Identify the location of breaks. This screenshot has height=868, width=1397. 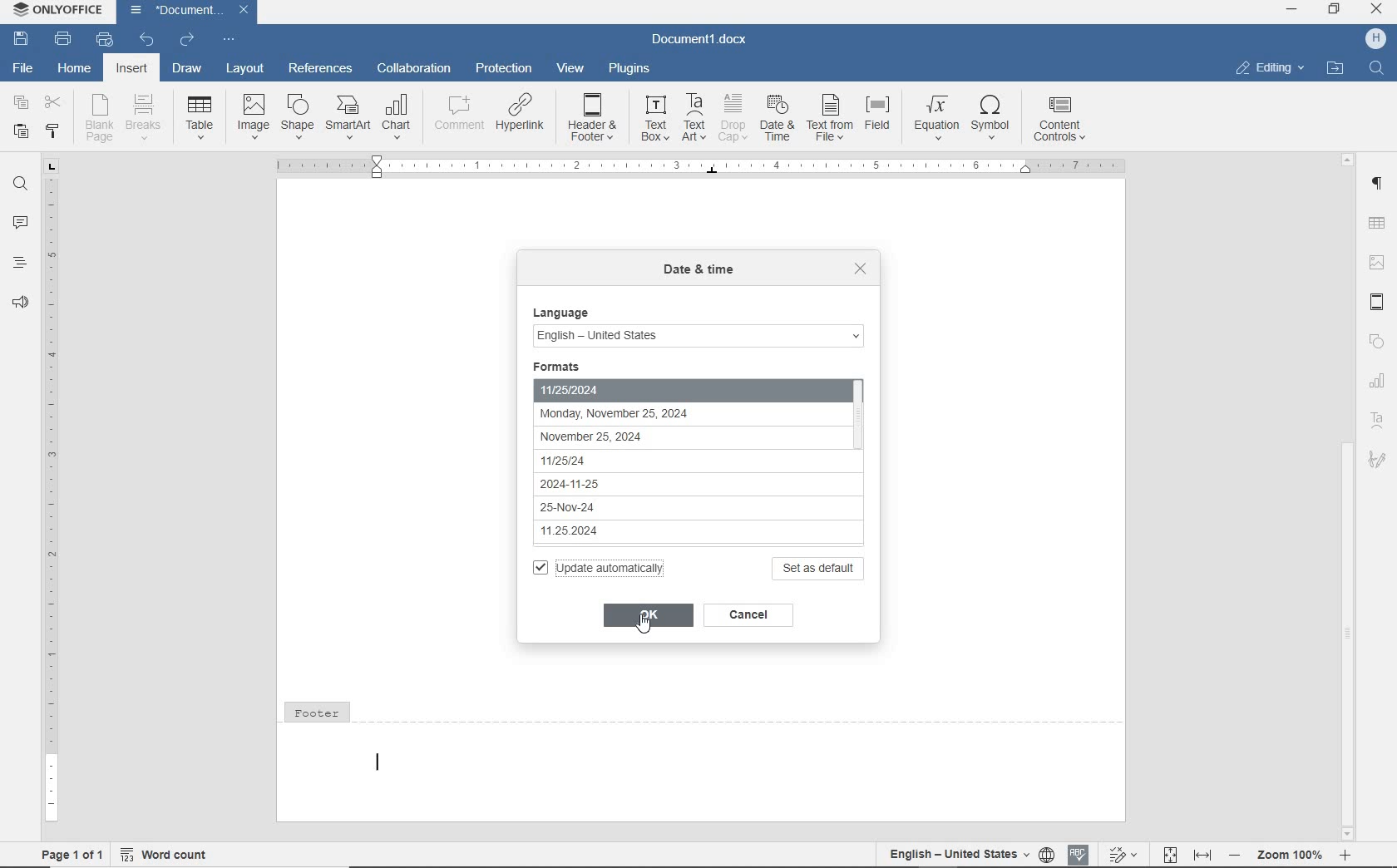
(146, 118).